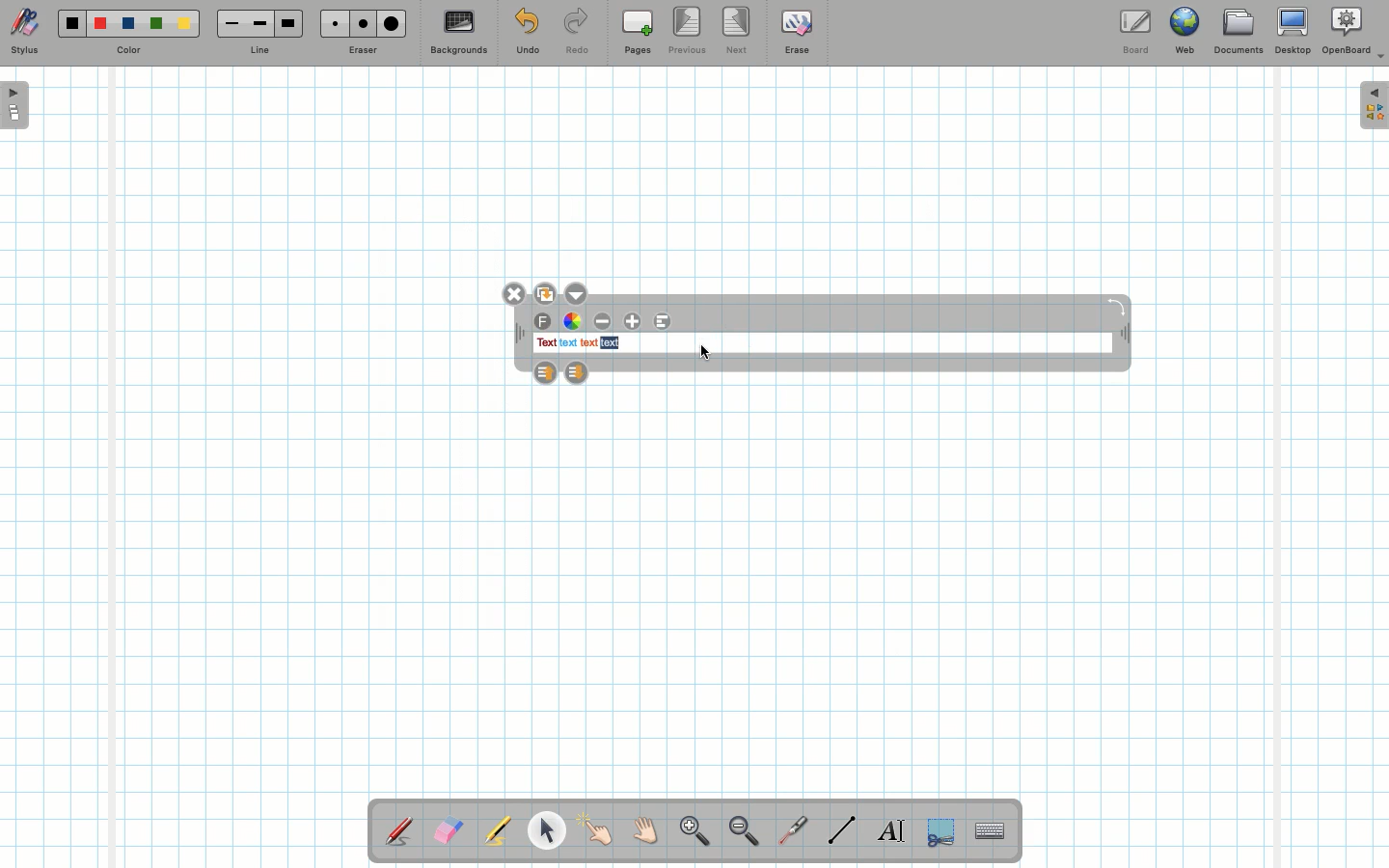 This screenshot has height=868, width=1389. Describe the element at coordinates (589, 343) in the screenshot. I see `text` at that location.